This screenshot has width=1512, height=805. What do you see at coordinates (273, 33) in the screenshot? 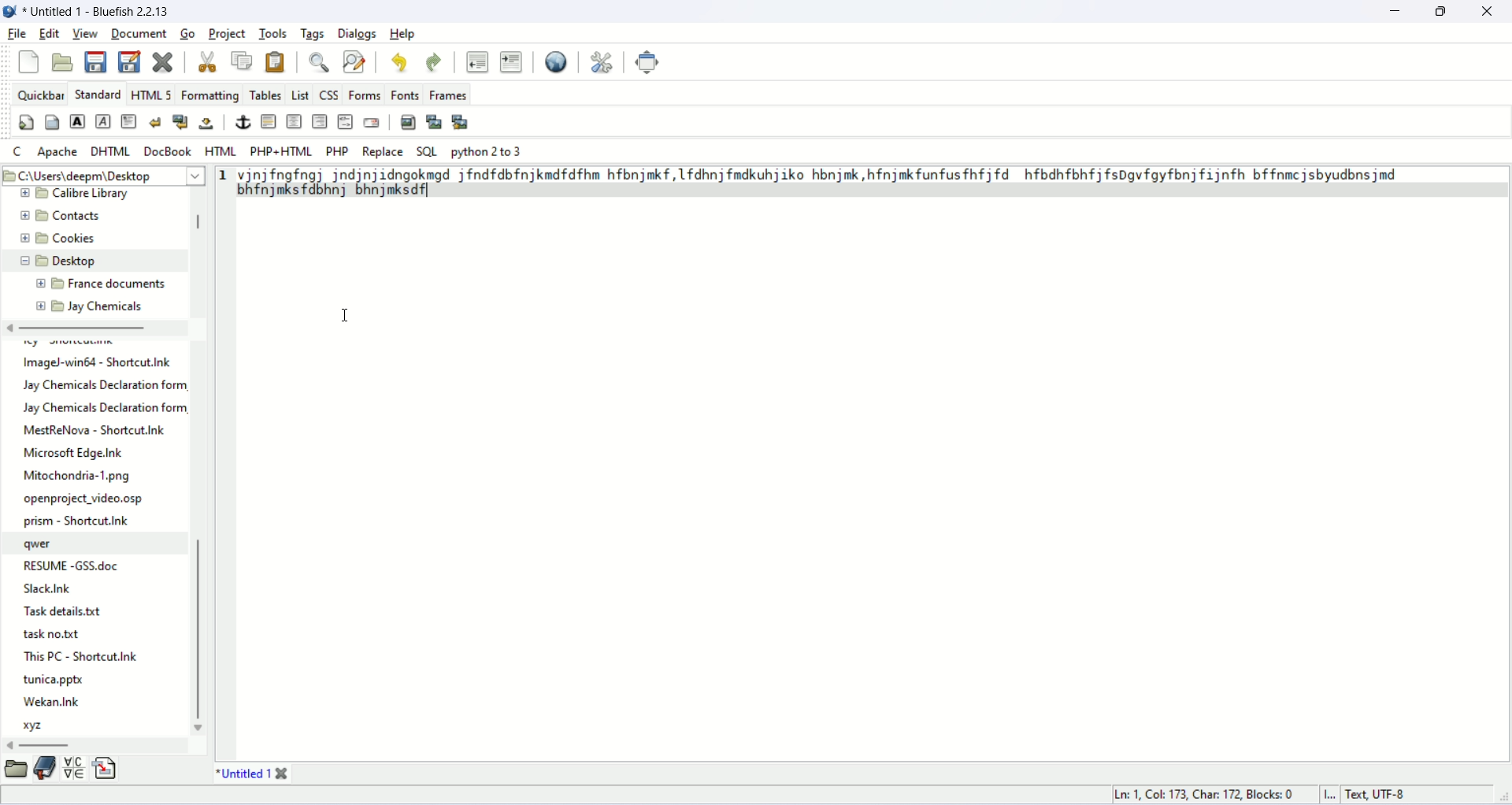
I see `tools` at bounding box center [273, 33].